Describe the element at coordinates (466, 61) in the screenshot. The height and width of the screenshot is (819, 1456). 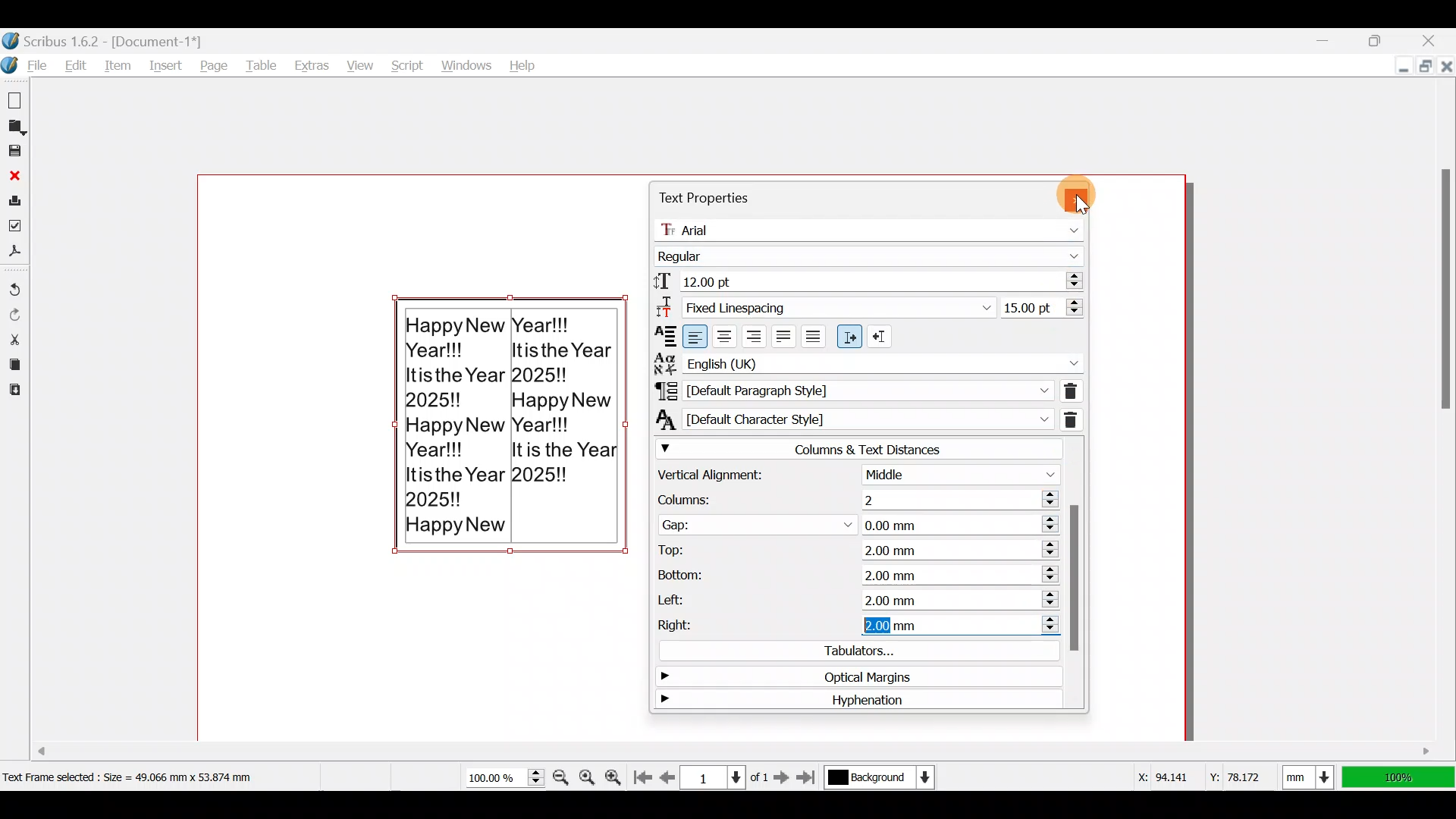
I see `Windows` at that location.